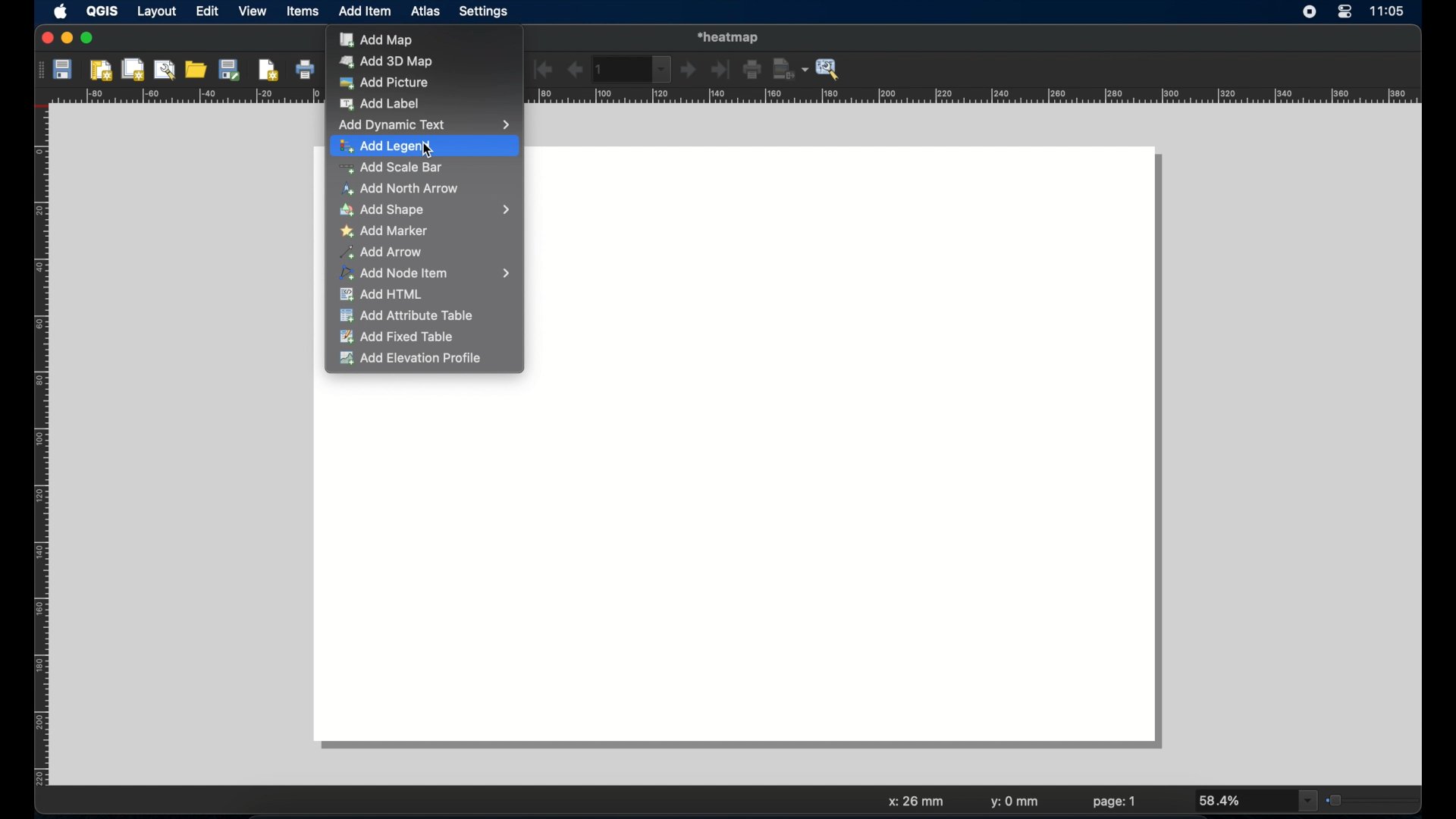  Describe the element at coordinates (402, 190) in the screenshot. I see `add north arrow` at that location.